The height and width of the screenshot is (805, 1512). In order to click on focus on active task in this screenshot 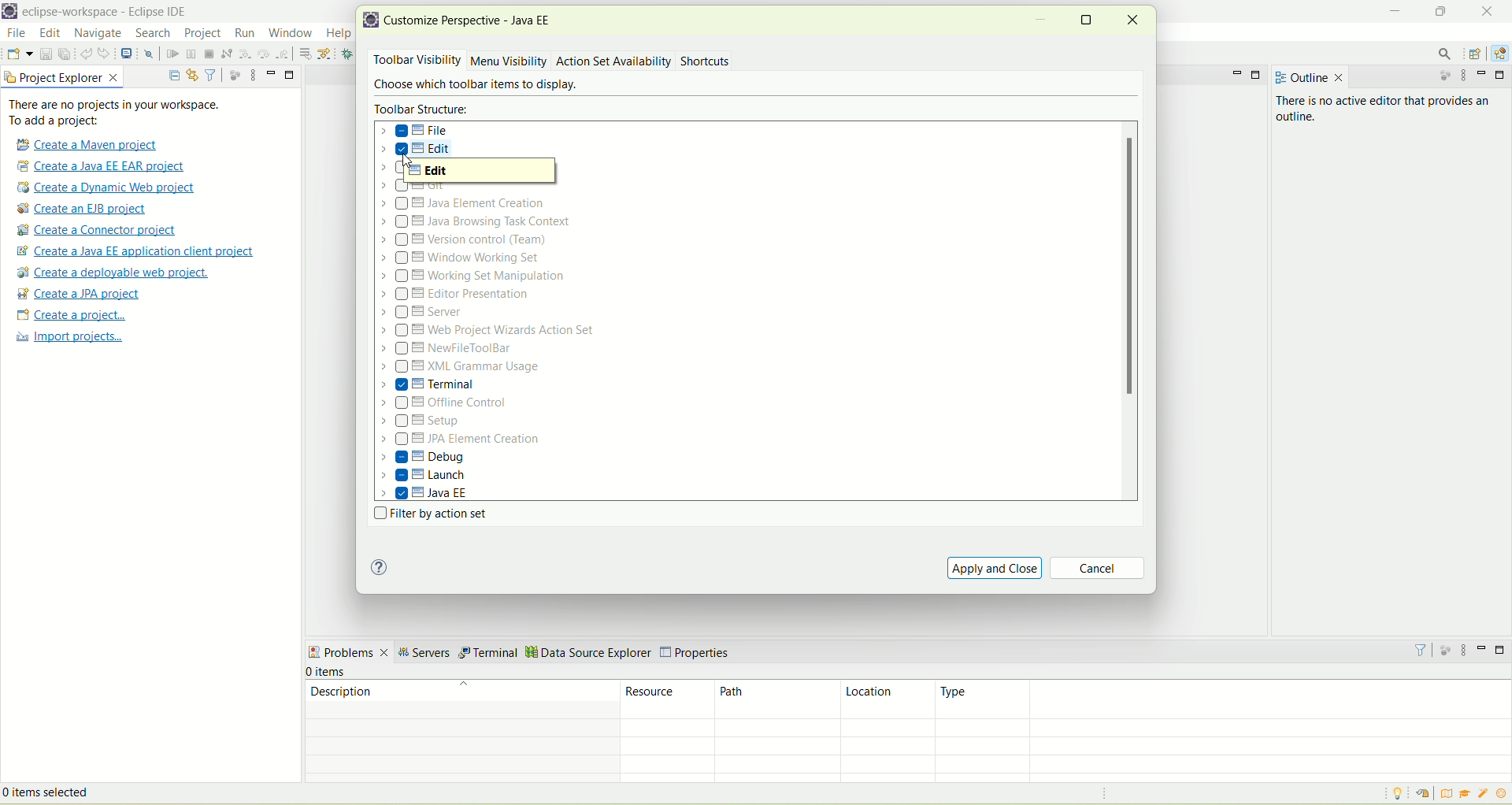, I will do `click(233, 74)`.